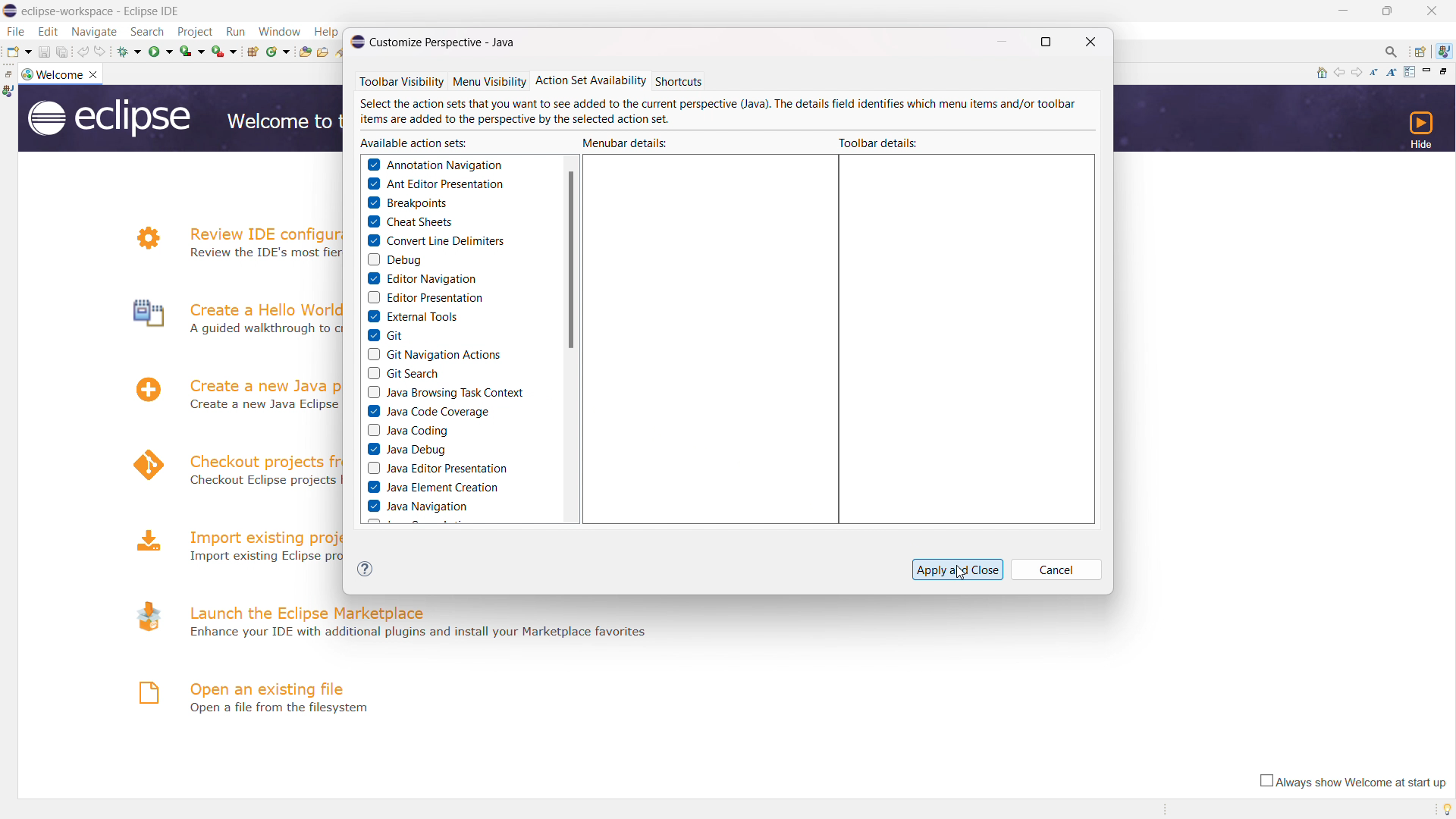 The image size is (1456, 819). Describe the element at coordinates (407, 222) in the screenshot. I see `cheat sheets` at that location.